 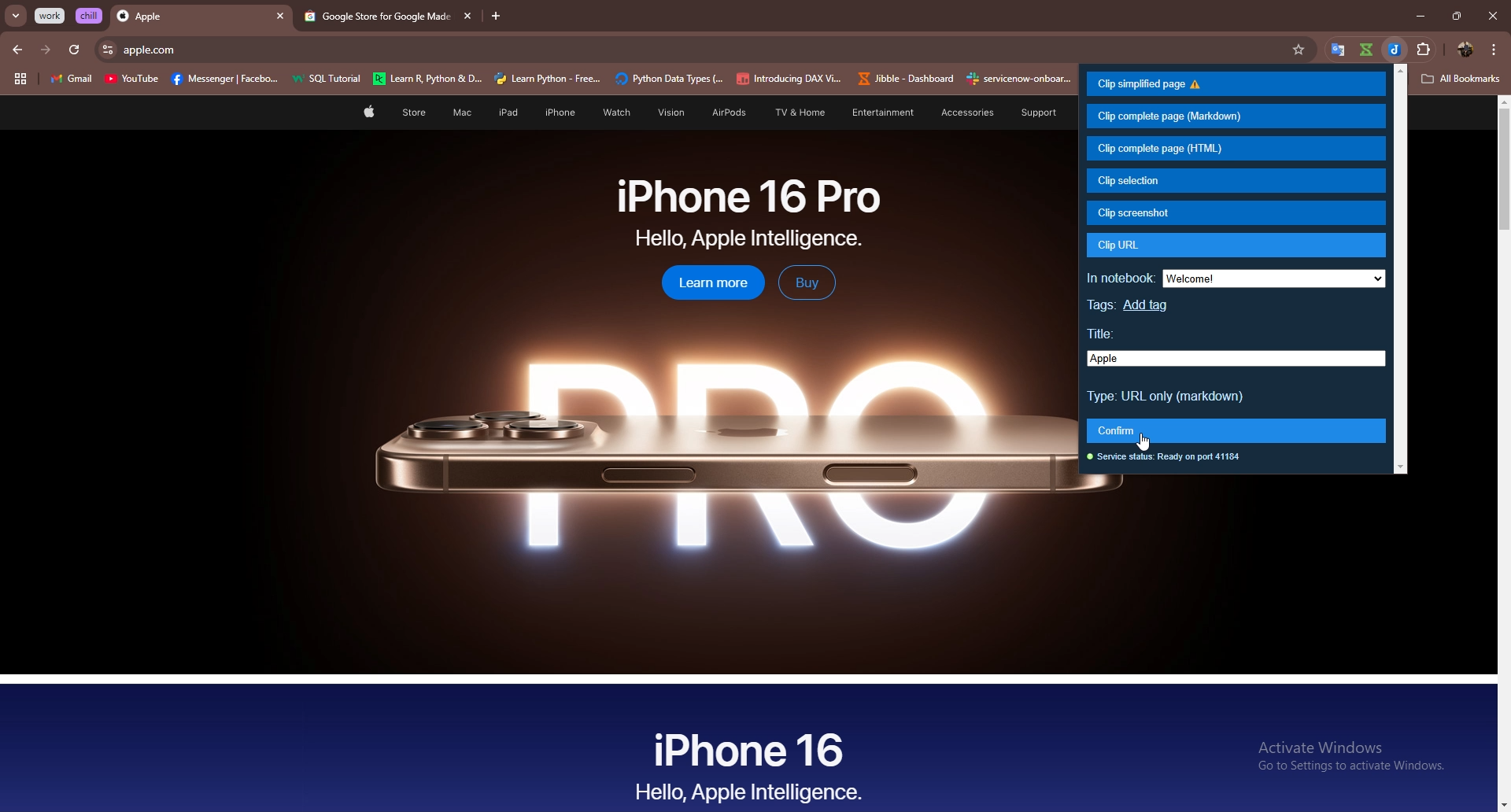 I want to click on Apple, so click(x=187, y=17).